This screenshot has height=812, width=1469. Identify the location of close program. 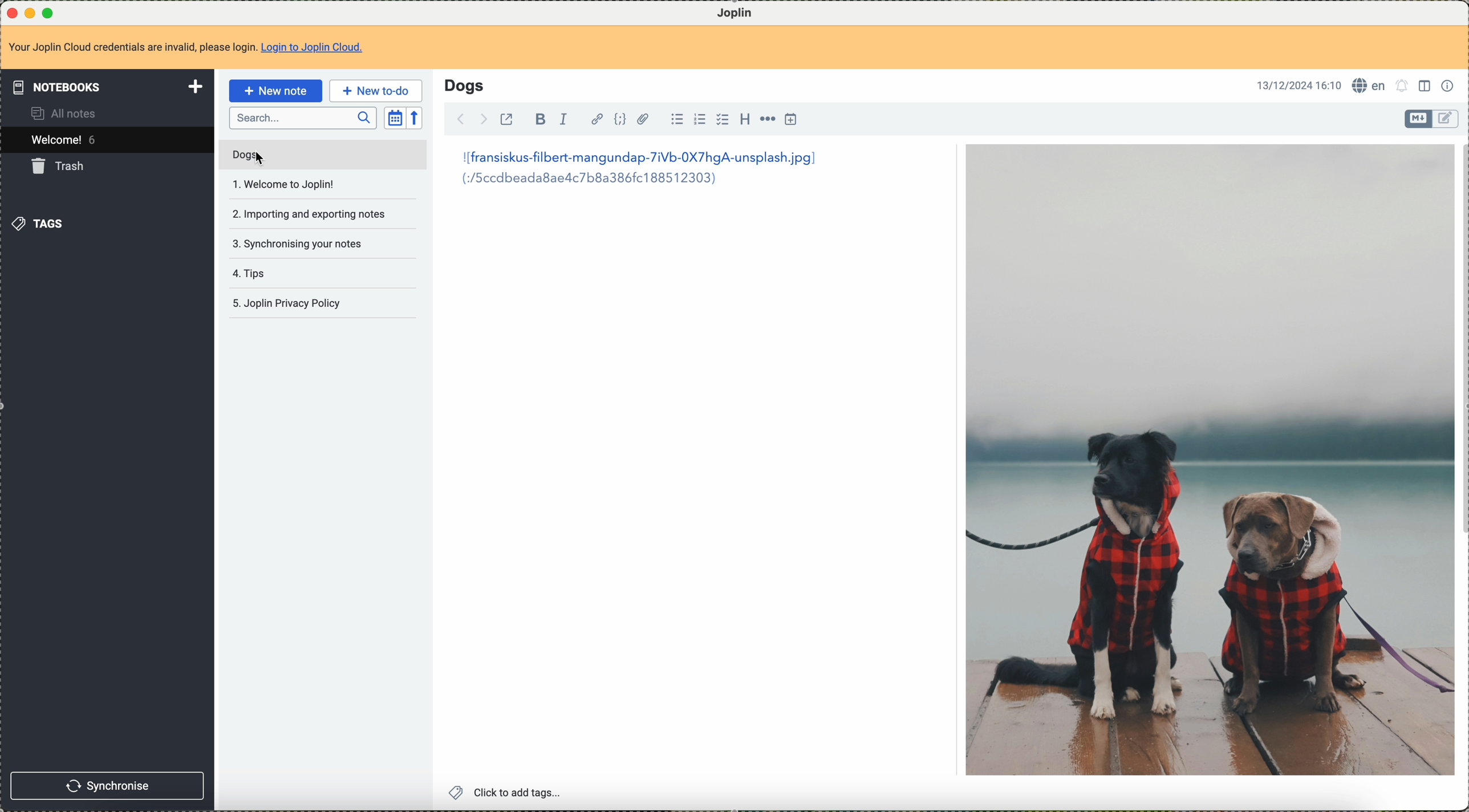
(11, 11).